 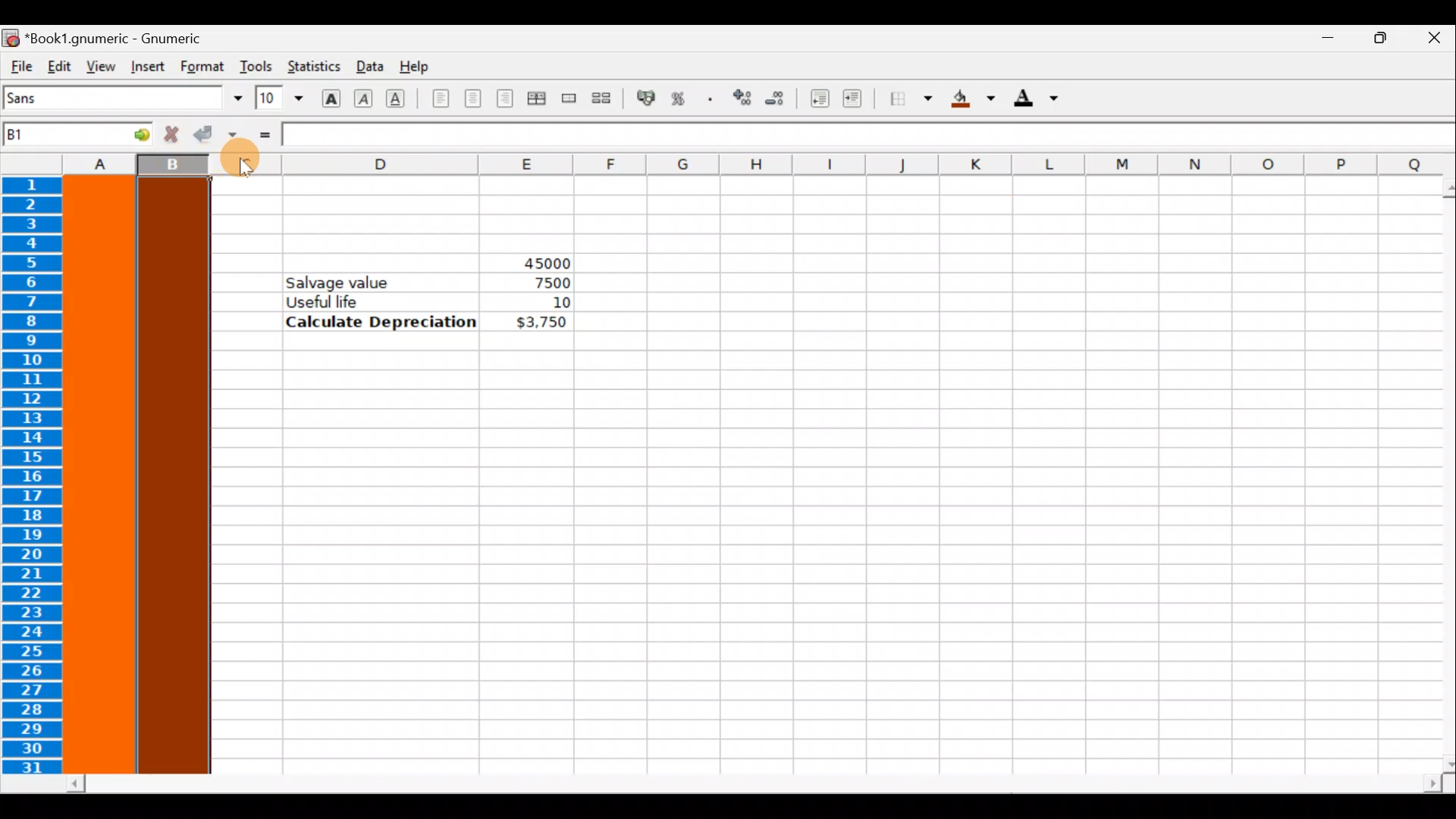 What do you see at coordinates (1320, 42) in the screenshot?
I see `Minimize` at bounding box center [1320, 42].